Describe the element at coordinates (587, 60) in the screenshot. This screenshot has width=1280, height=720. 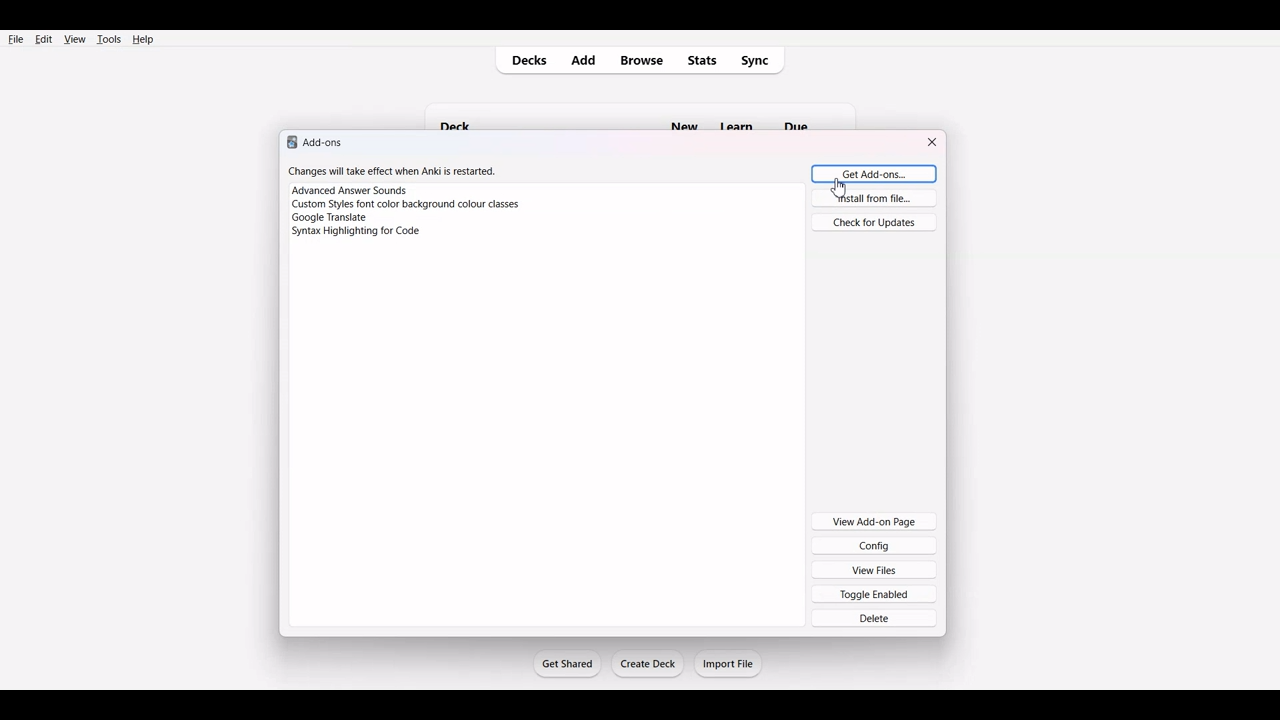
I see `Add` at that location.